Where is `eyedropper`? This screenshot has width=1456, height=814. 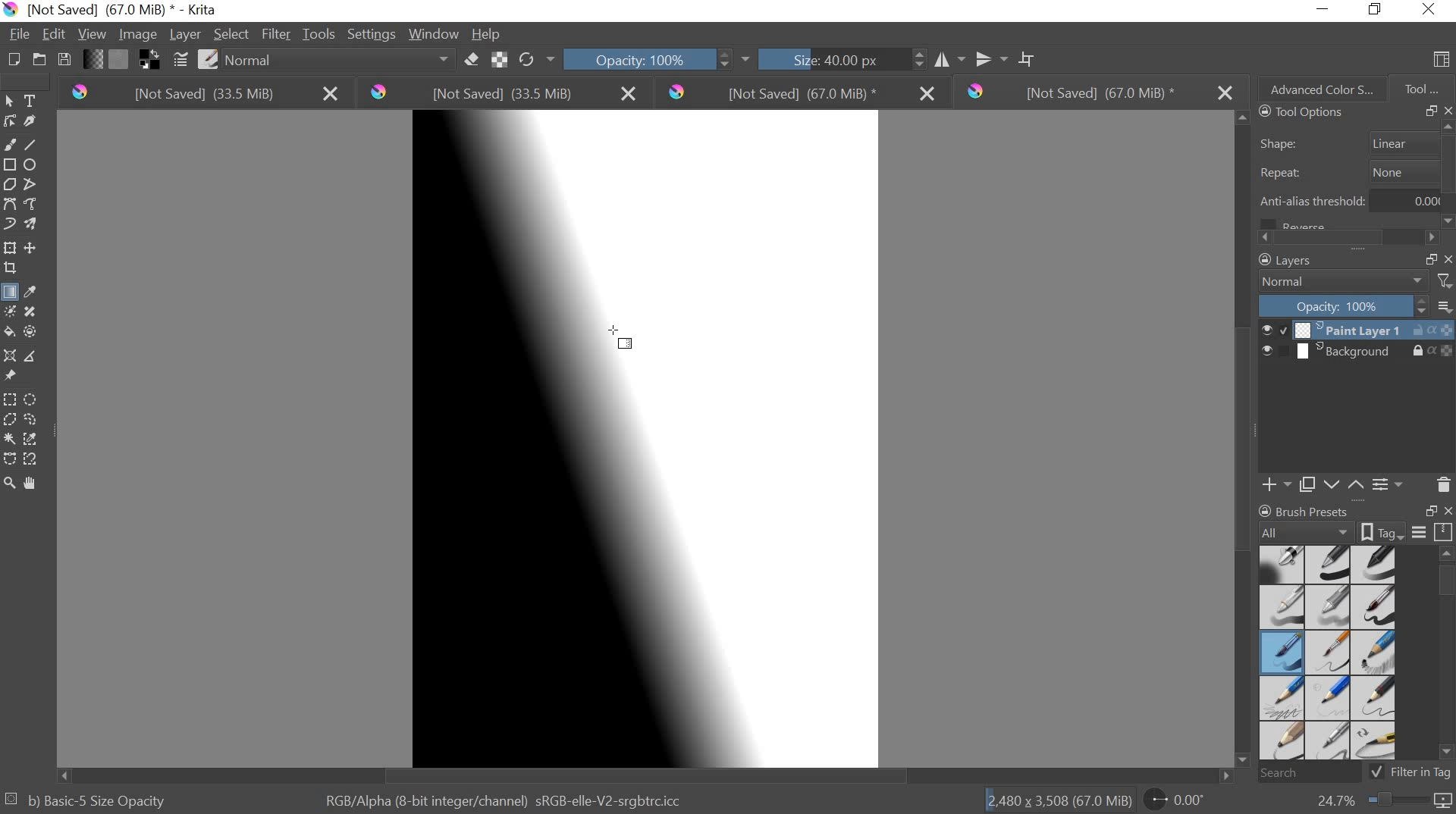 eyedropper is located at coordinates (33, 291).